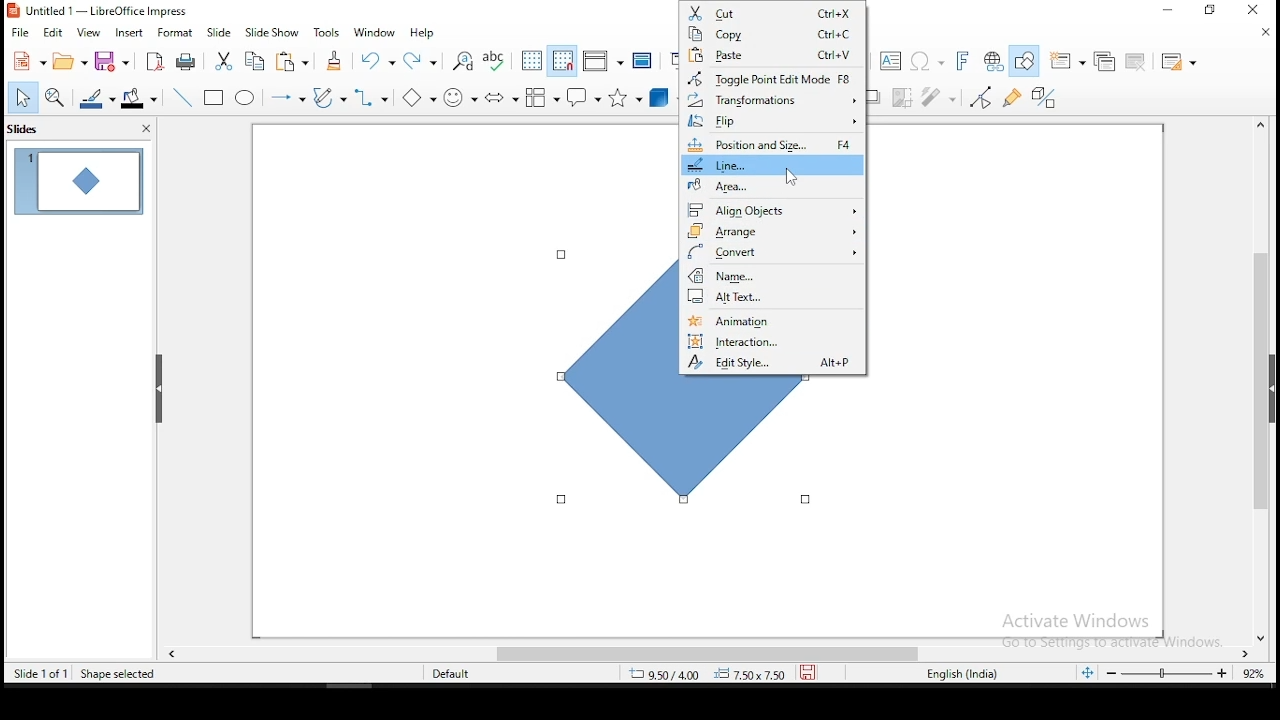  I want to click on ellipse, so click(247, 100).